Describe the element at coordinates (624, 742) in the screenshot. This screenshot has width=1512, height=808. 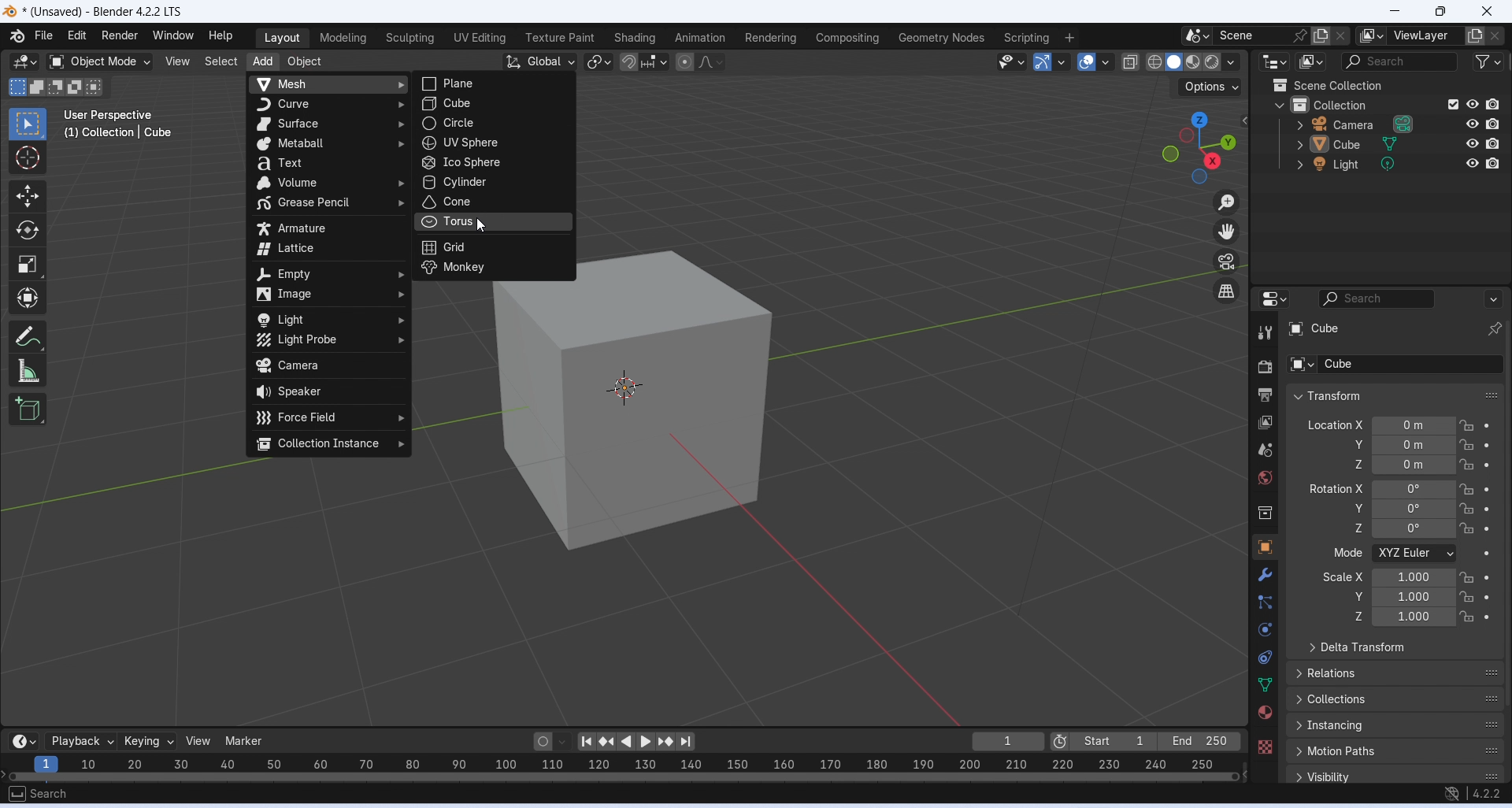
I see `Play animation` at that location.